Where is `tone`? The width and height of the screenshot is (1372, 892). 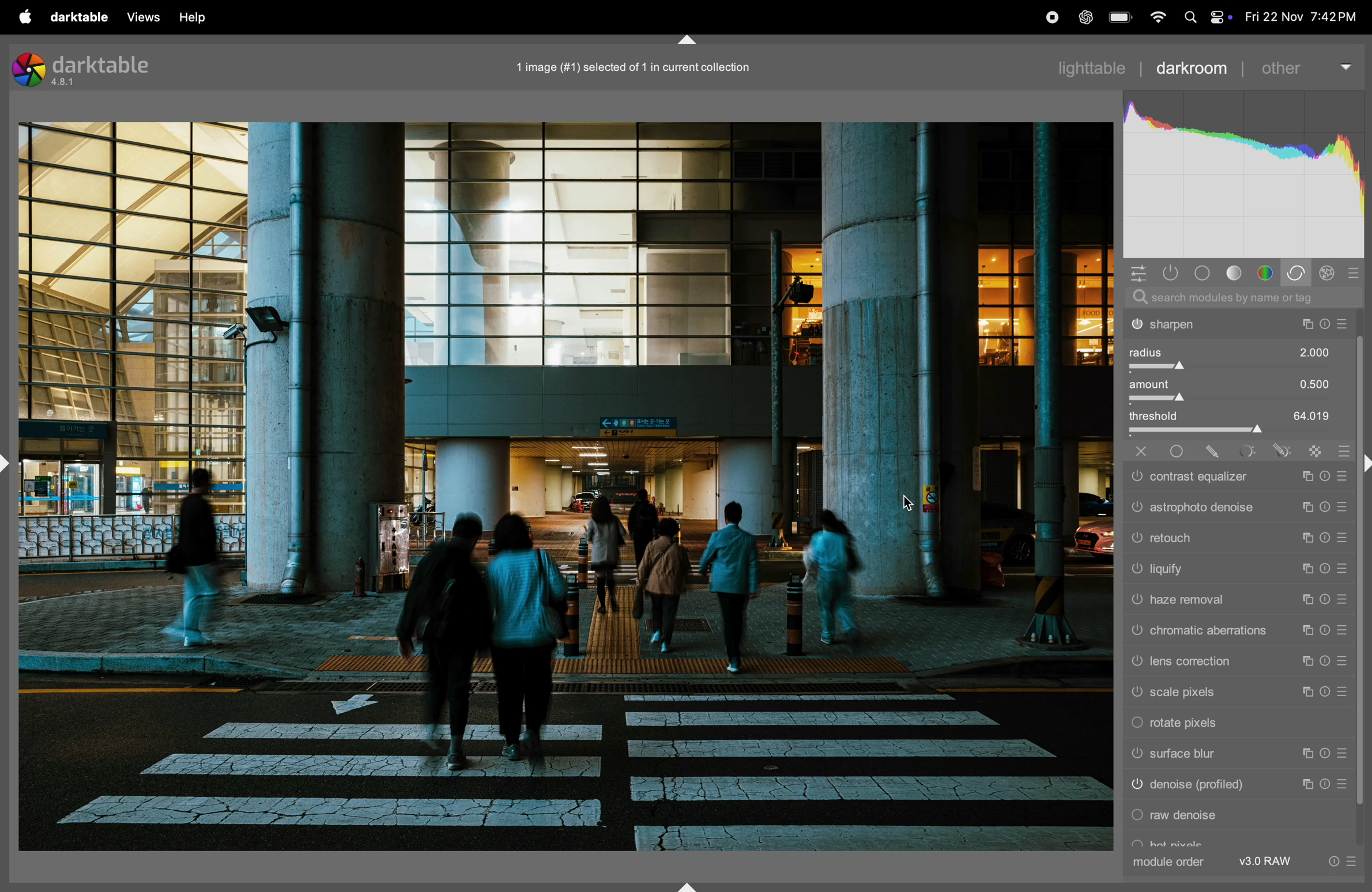 tone is located at coordinates (1237, 273).